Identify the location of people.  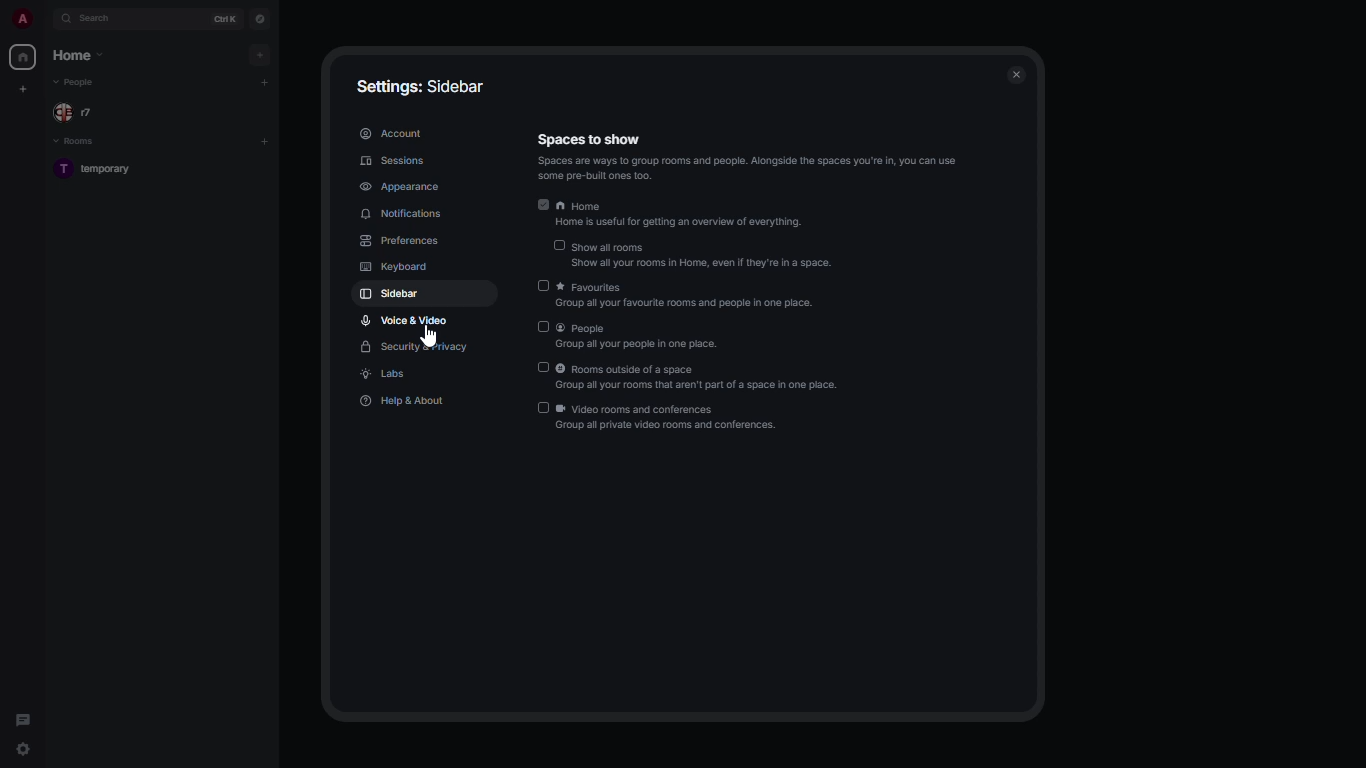
(77, 113).